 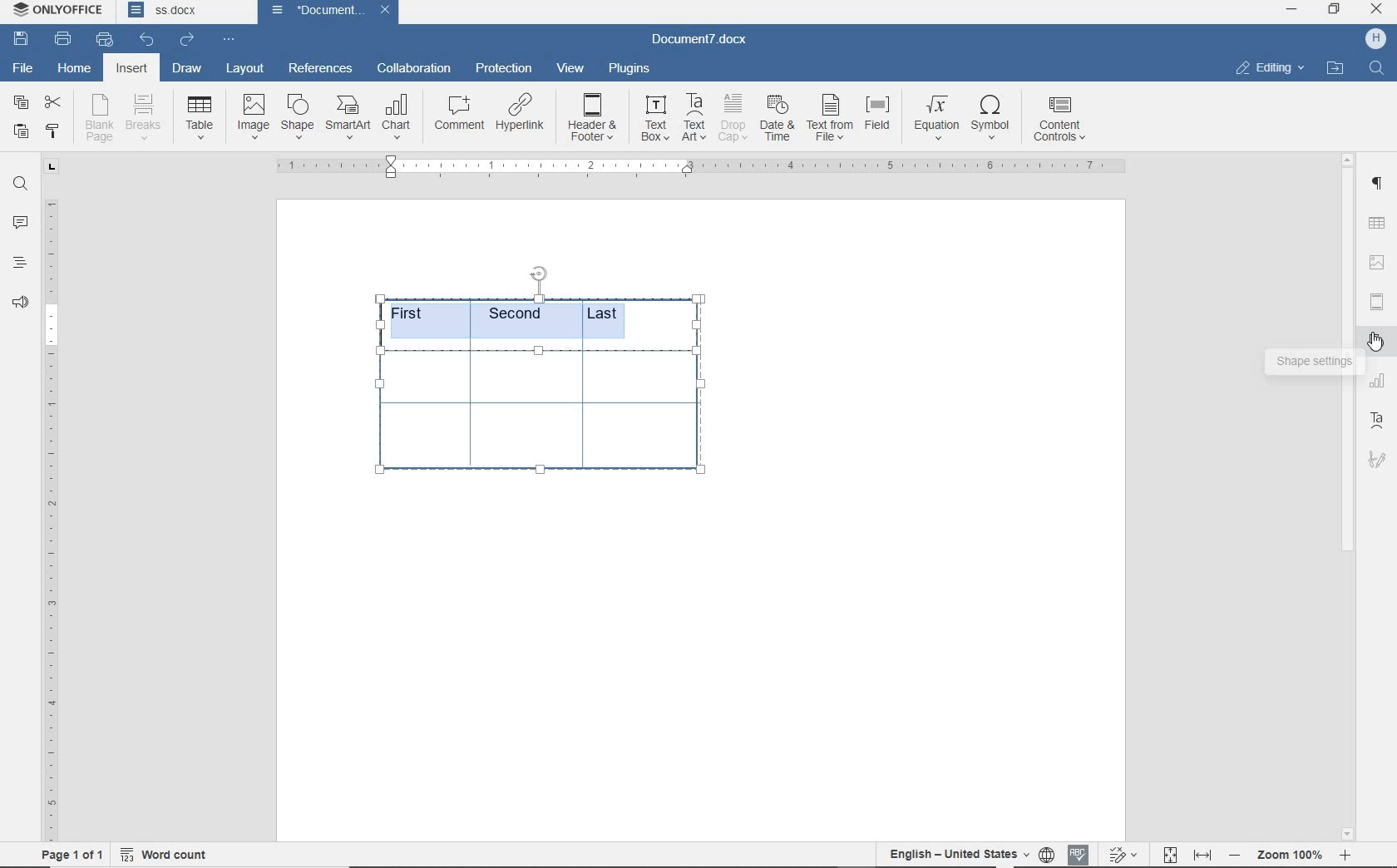 What do you see at coordinates (1376, 303) in the screenshot?
I see `HEADER & FOOTER` at bounding box center [1376, 303].